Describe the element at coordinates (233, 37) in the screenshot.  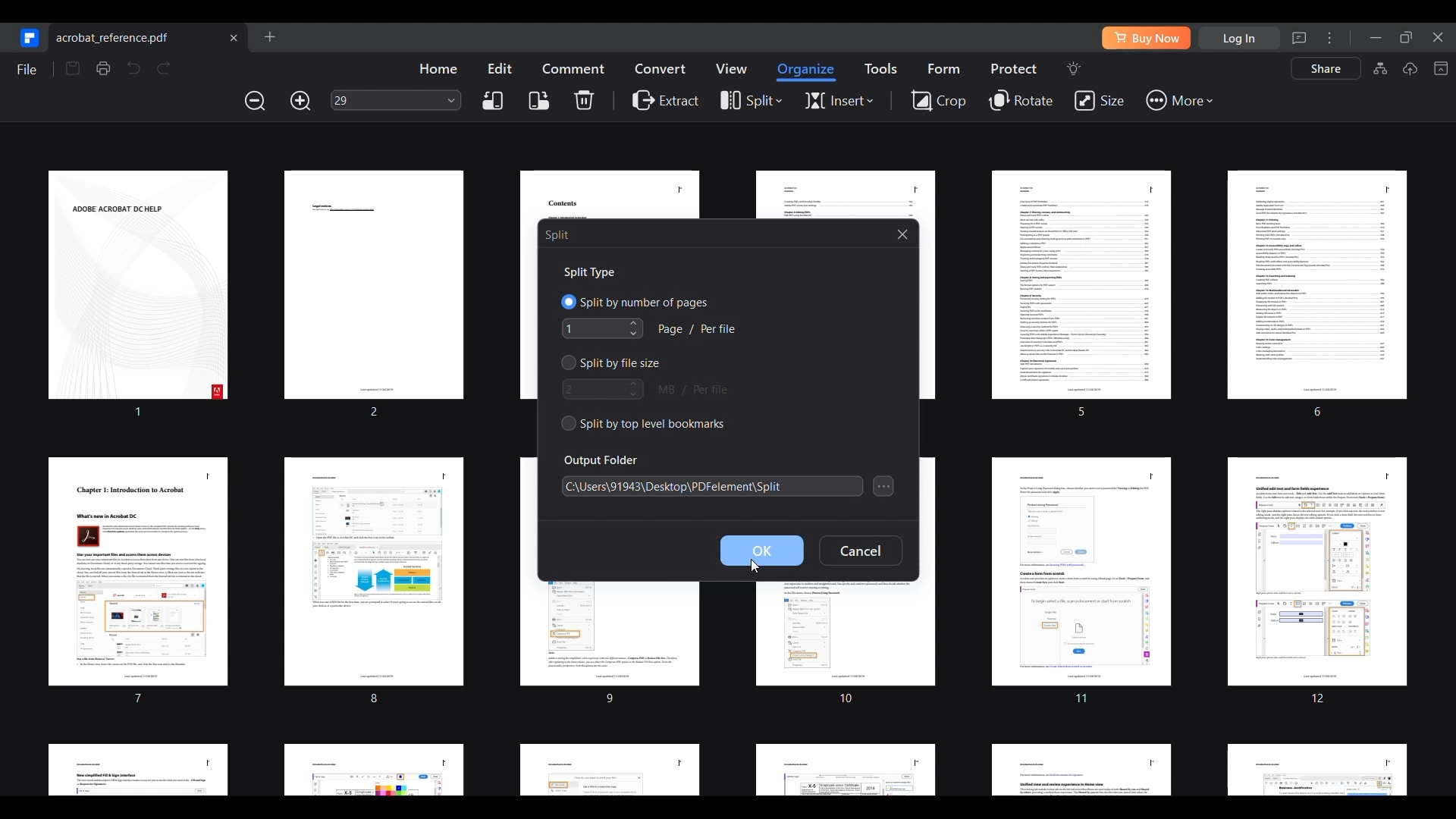
I see `Close current file` at that location.